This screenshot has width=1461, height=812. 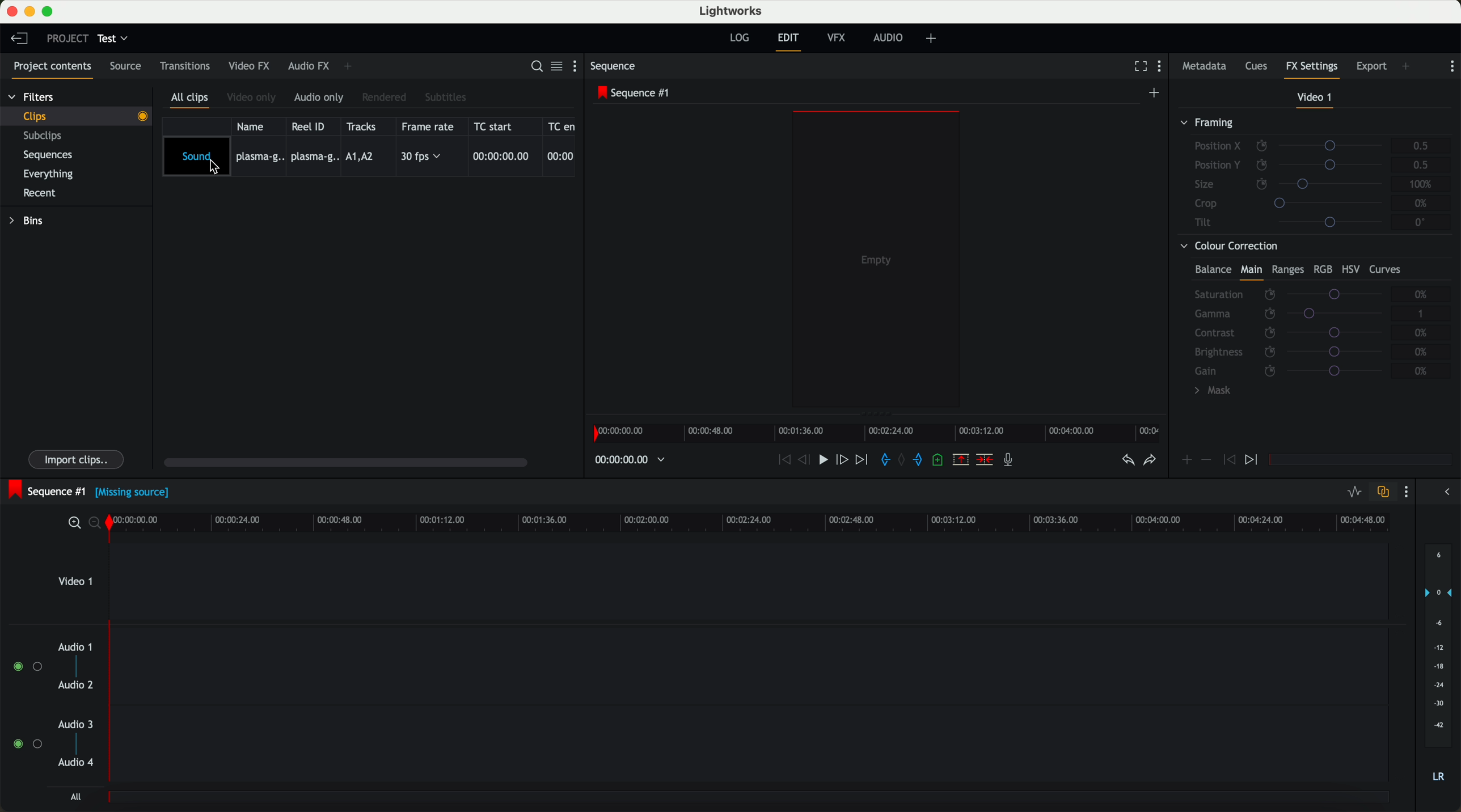 I want to click on scroll bar, so click(x=352, y=464).